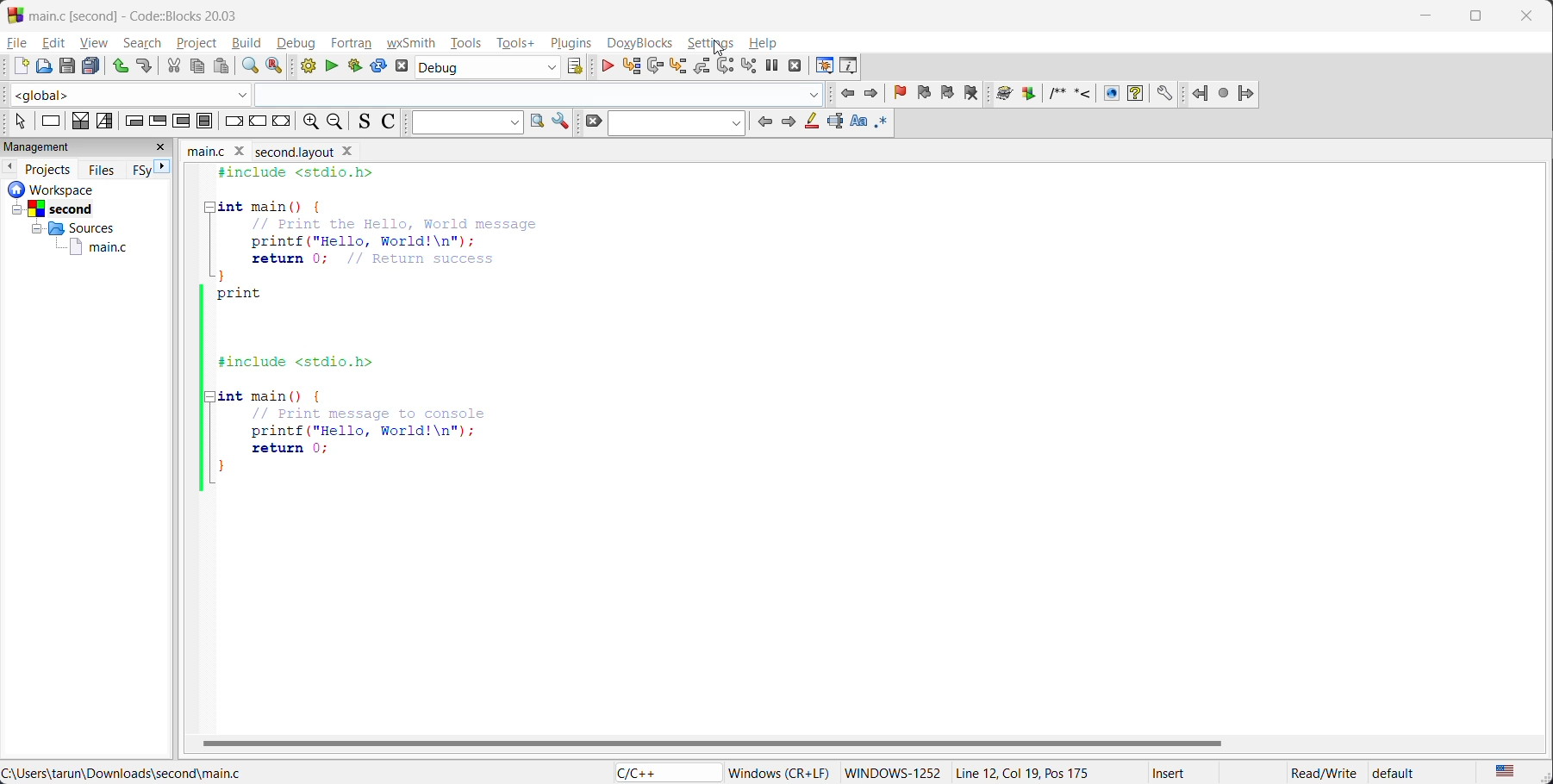 The width and height of the screenshot is (1553, 784). What do you see at coordinates (221, 66) in the screenshot?
I see `paste` at bounding box center [221, 66].